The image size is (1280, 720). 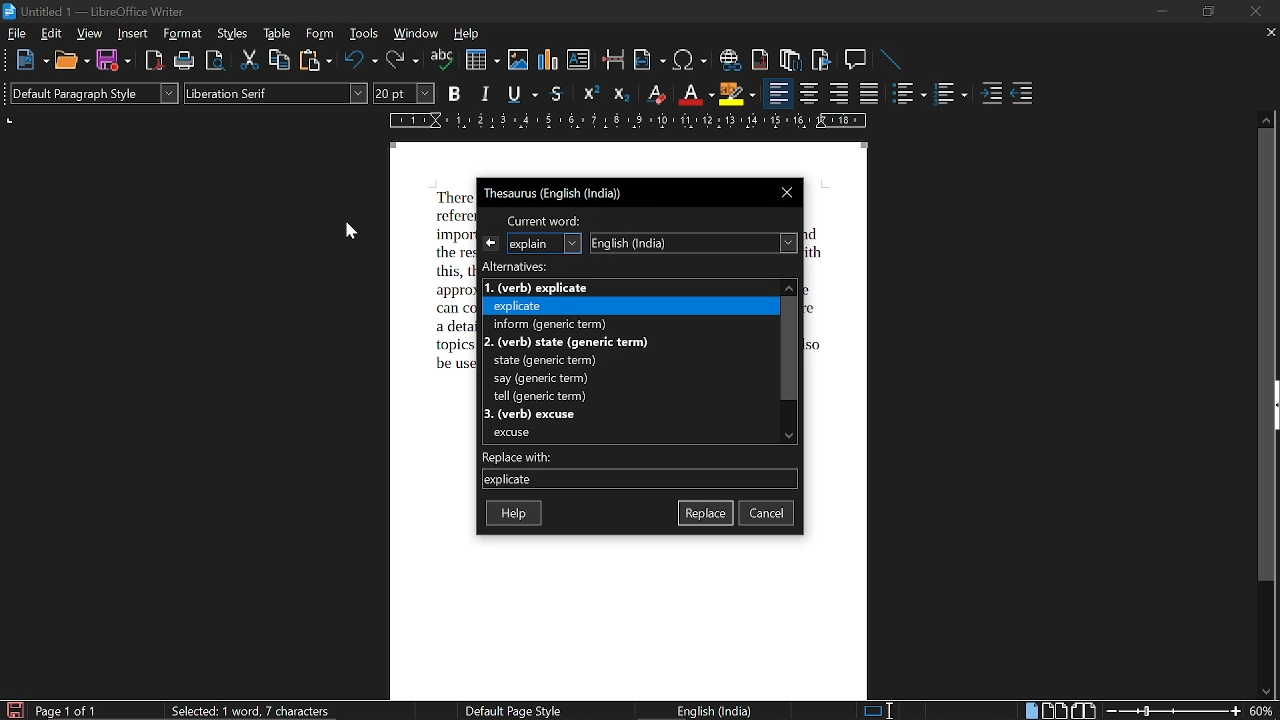 I want to click on copy, so click(x=280, y=61).